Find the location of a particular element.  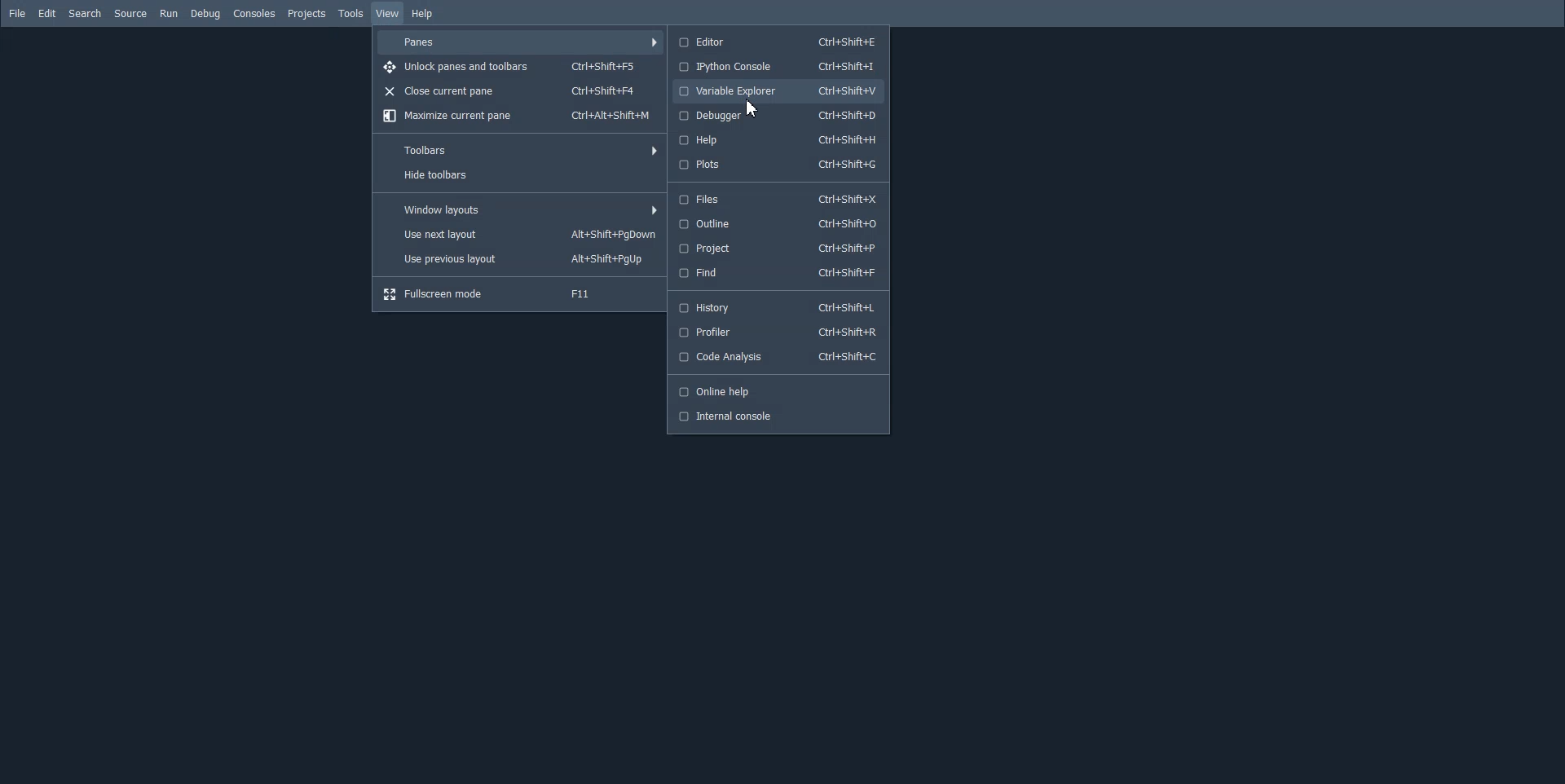

Debugger is located at coordinates (779, 115).